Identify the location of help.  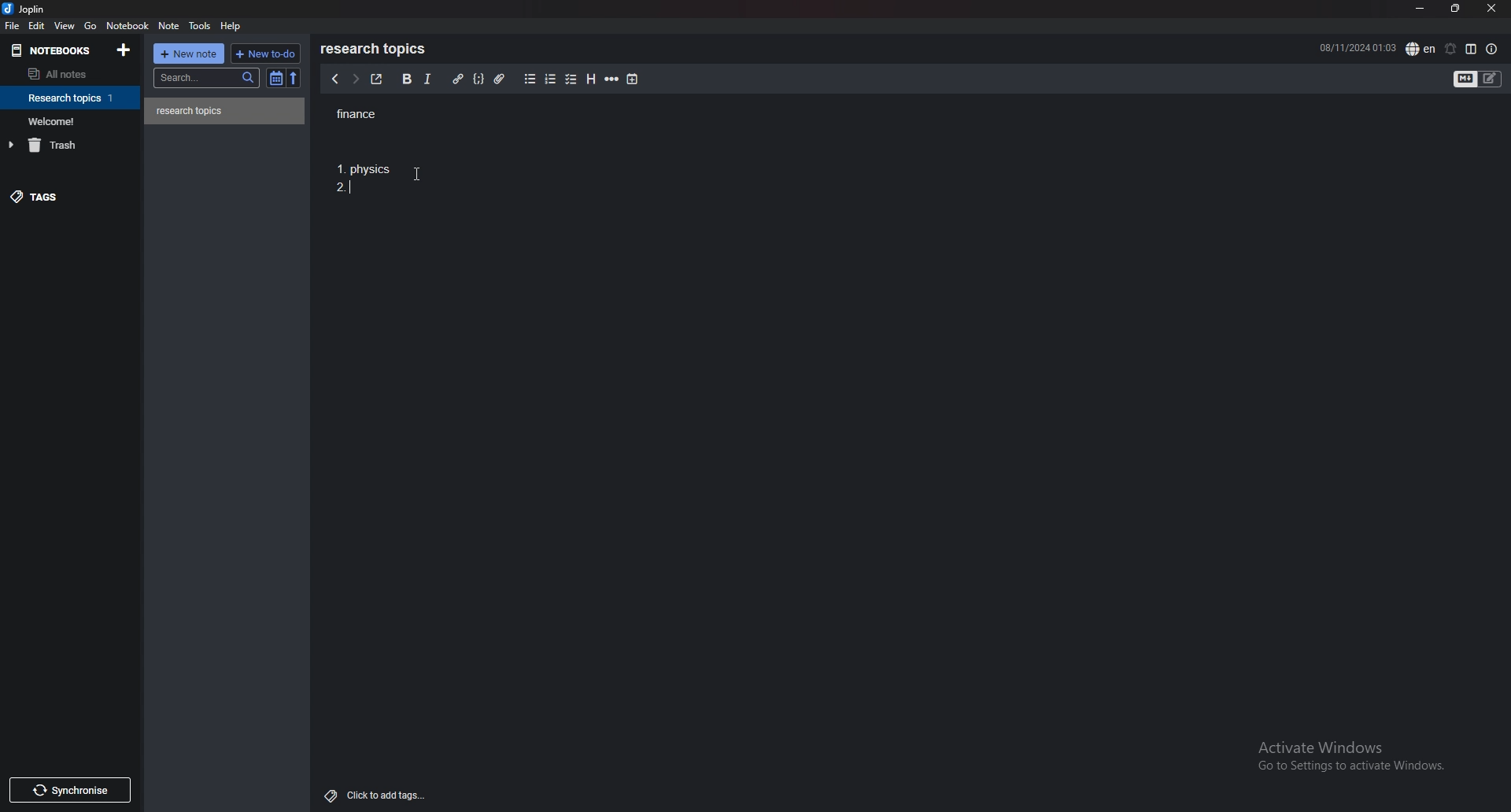
(233, 25).